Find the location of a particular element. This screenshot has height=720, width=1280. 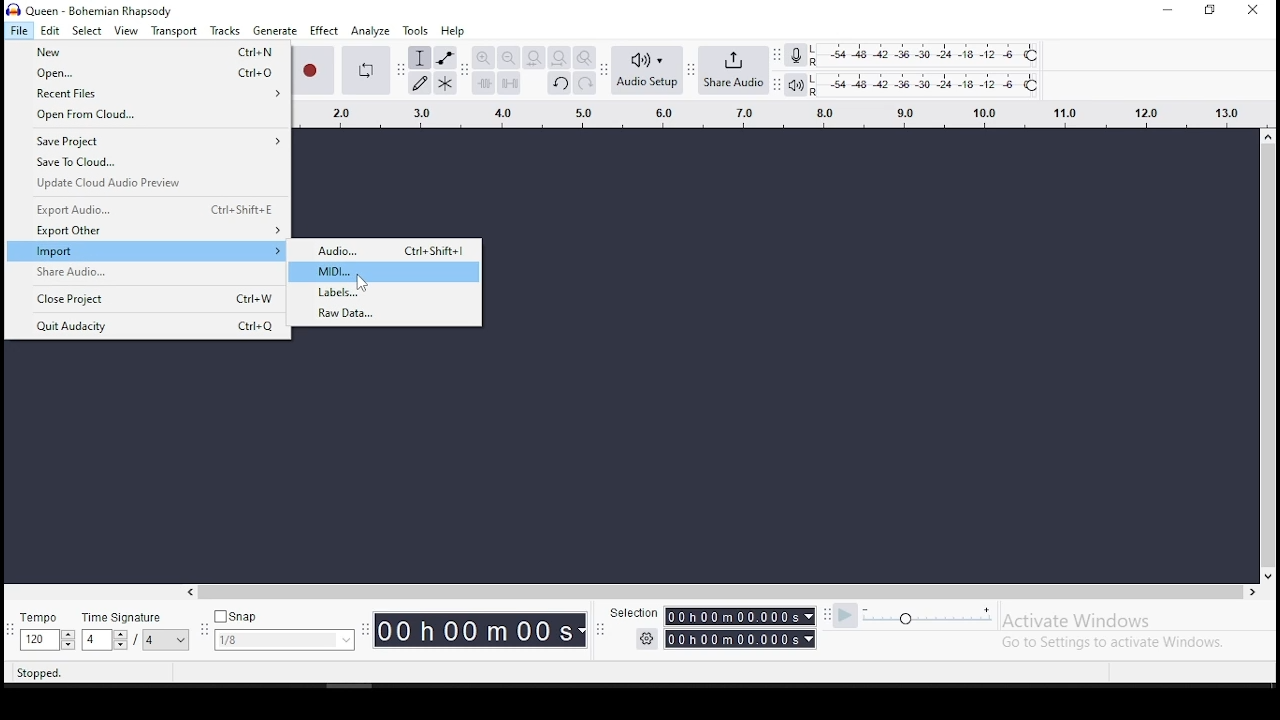

fit to project to width is located at coordinates (559, 58).